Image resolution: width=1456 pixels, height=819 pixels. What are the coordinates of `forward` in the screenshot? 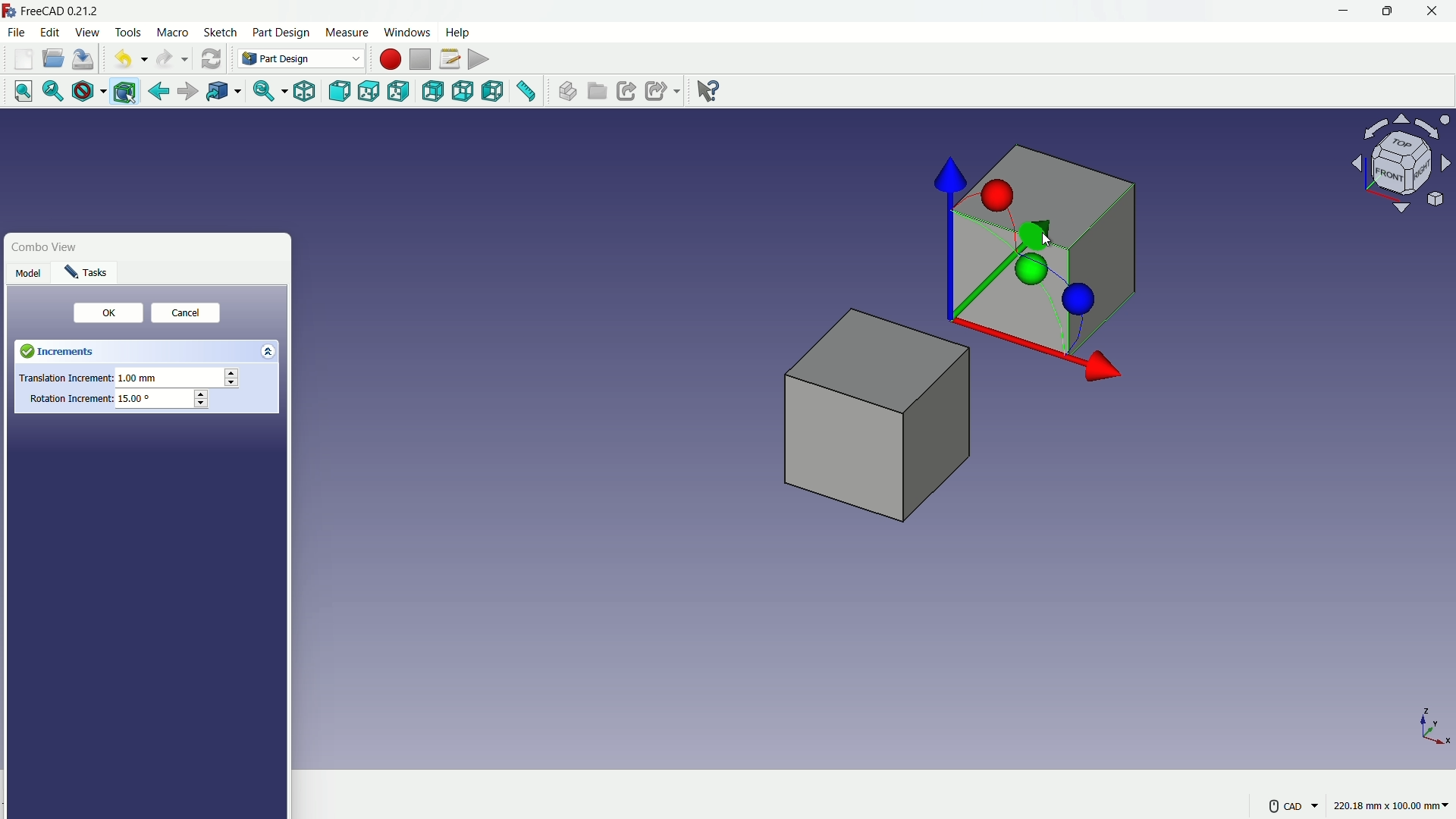 It's located at (186, 93).